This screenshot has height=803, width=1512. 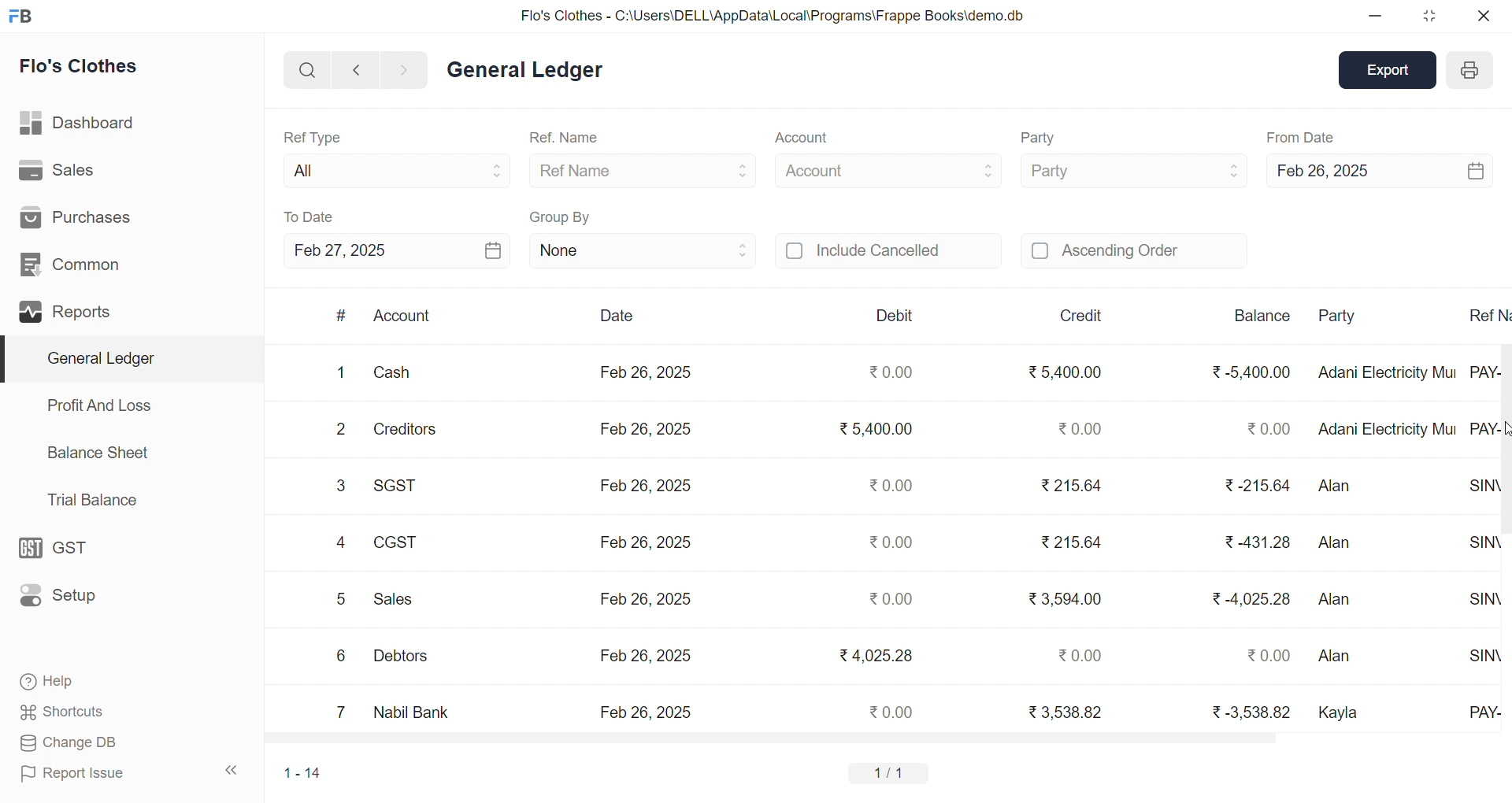 What do you see at coordinates (1347, 316) in the screenshot?
I see `Party` at bounding box center [1347, 316].